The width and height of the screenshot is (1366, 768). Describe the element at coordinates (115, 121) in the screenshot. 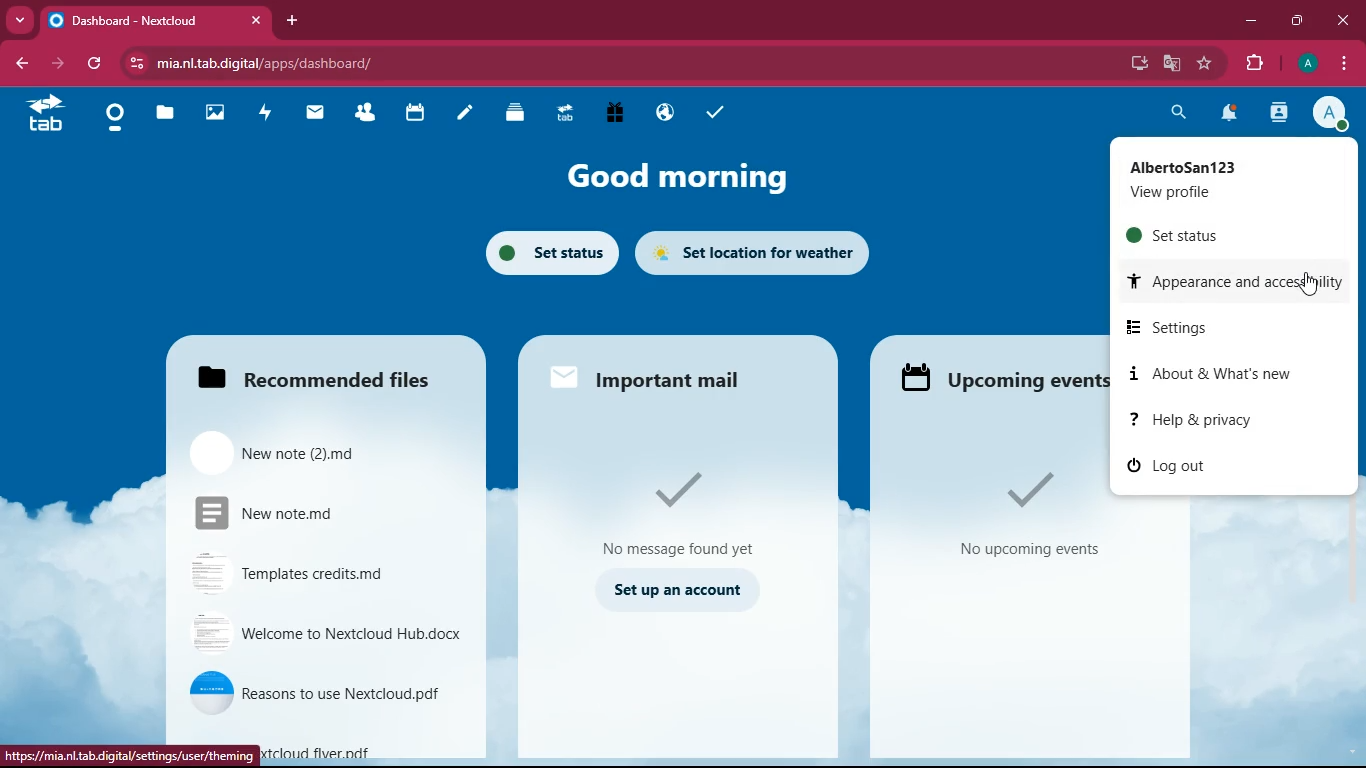

I see `home` at that location.